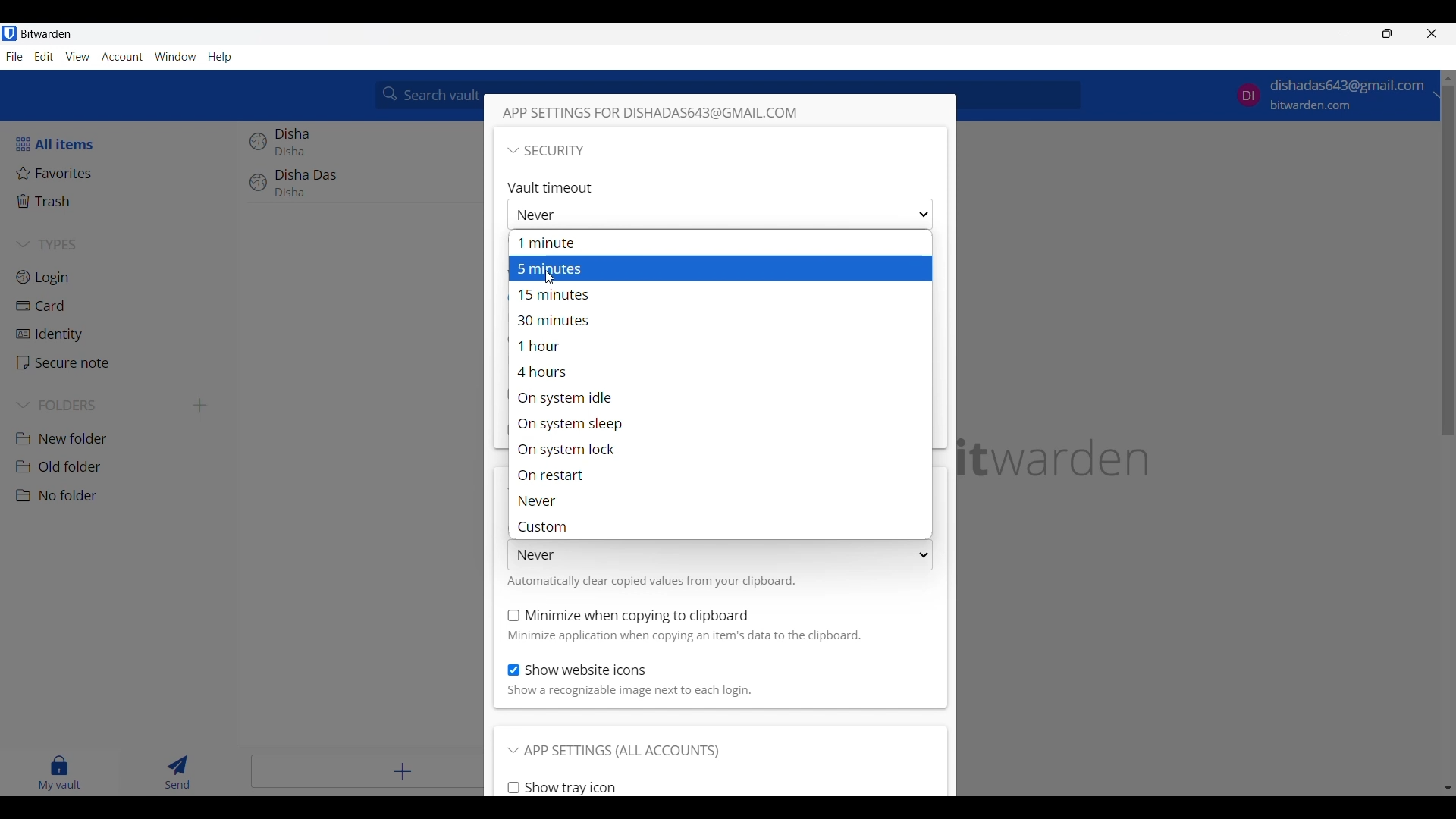 The image size is (1456, 819). What do you see at coordinates (121, 173) in the screenshot?
I see `Favorites` at bounding box center [121, 173].